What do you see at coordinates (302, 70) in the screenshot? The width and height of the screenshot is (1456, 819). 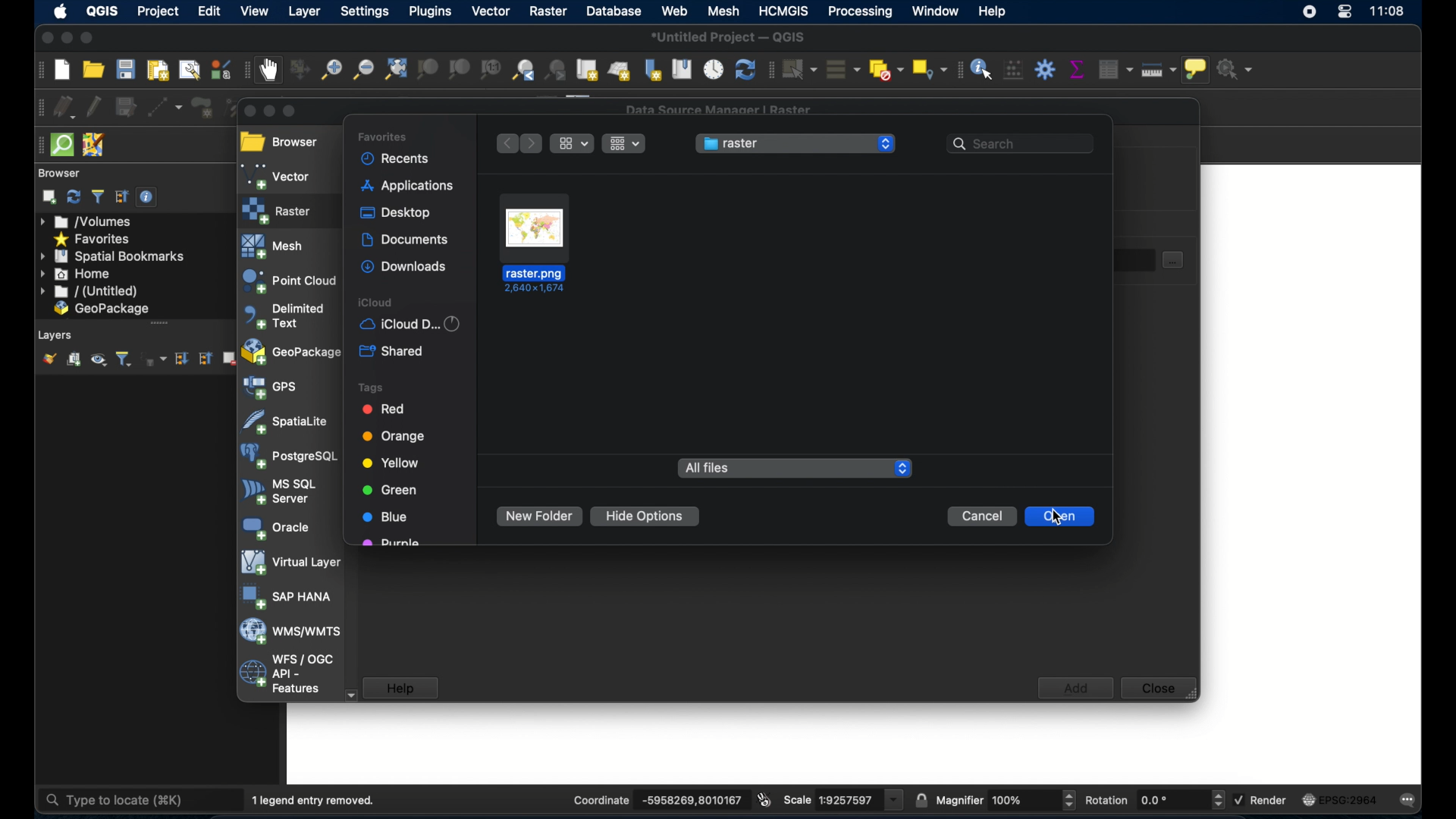 I see `pan map to selection` at bounding box center [302, 70].